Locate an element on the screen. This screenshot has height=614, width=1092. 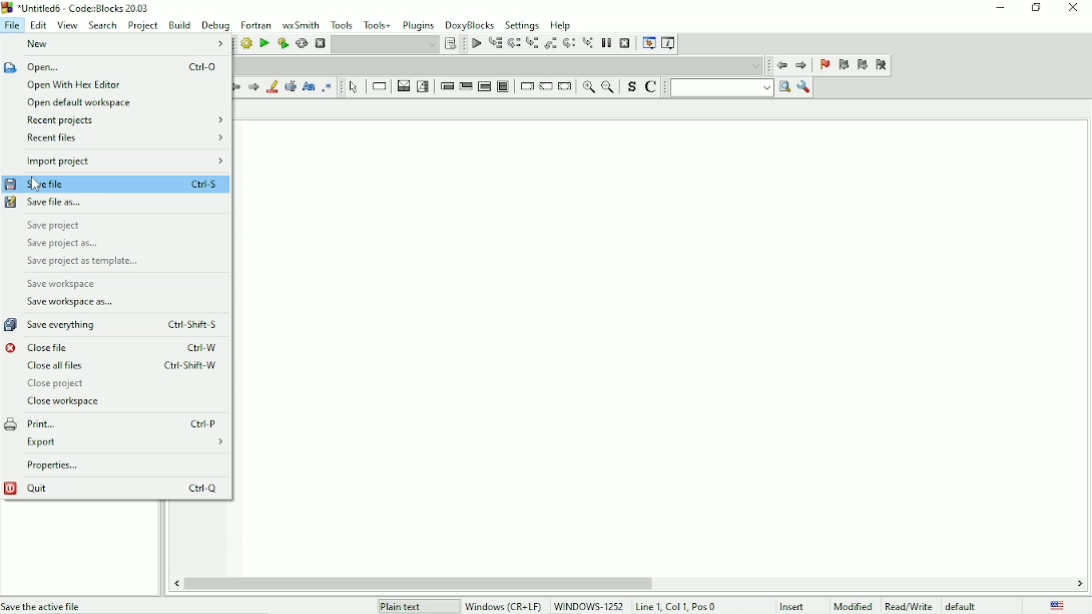
Highlight is located at coordinates (273, 87).